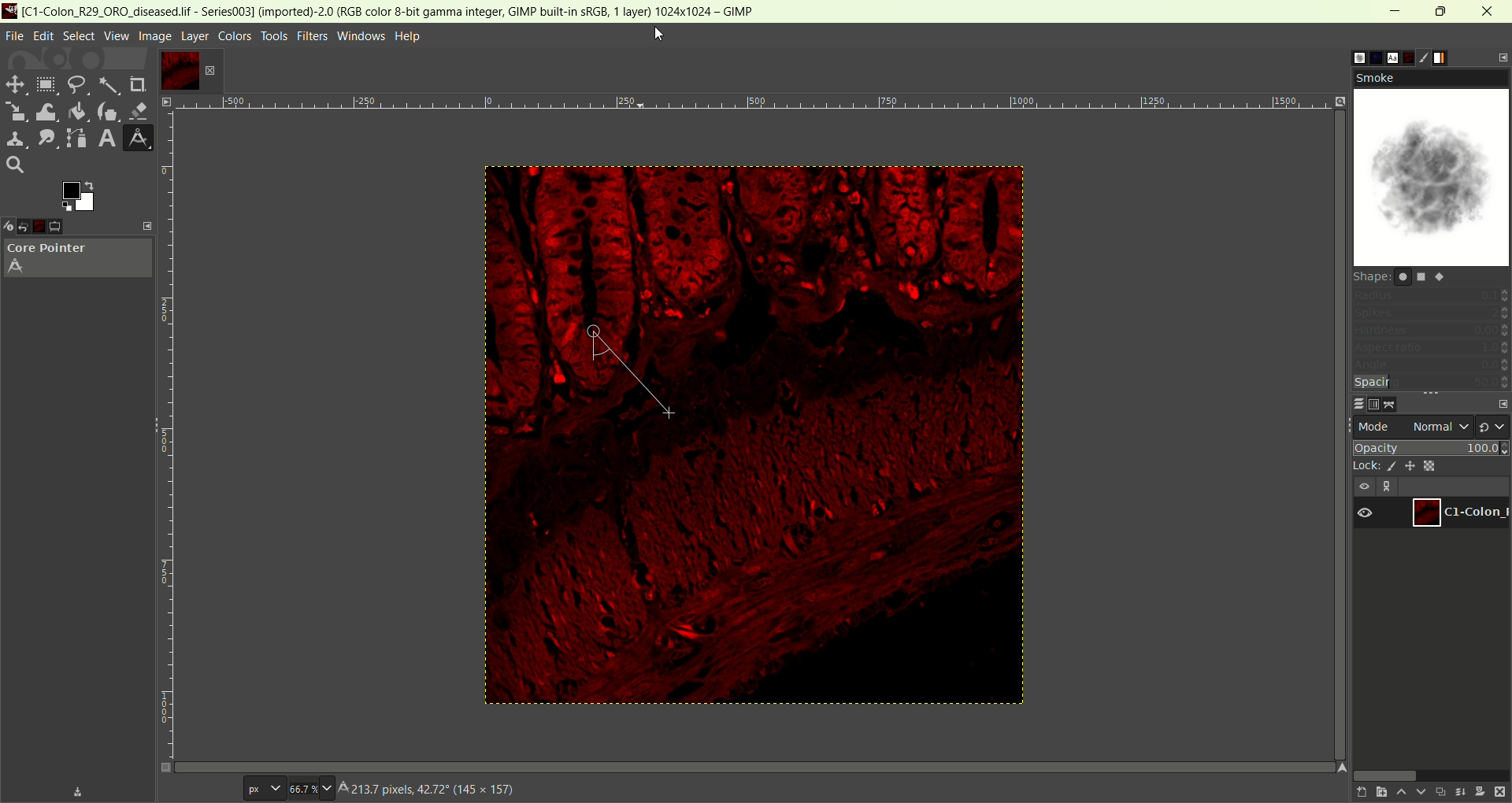 This screenshot has width=1512, height=803. I want to click on document history, so click(1409, 56).